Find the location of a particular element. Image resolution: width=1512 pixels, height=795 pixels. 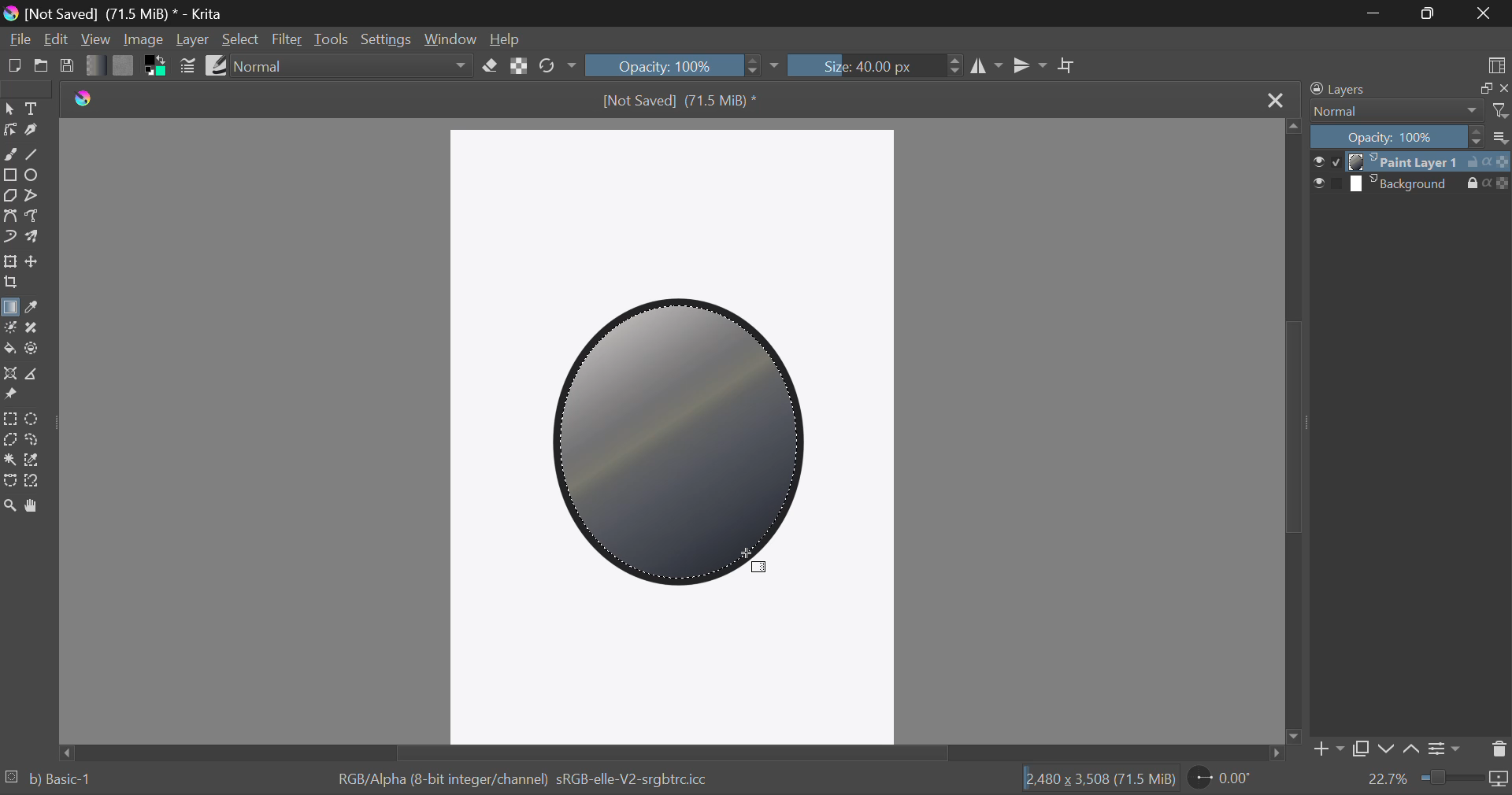

Dynamic Brush is located at coordinates (10, 238).